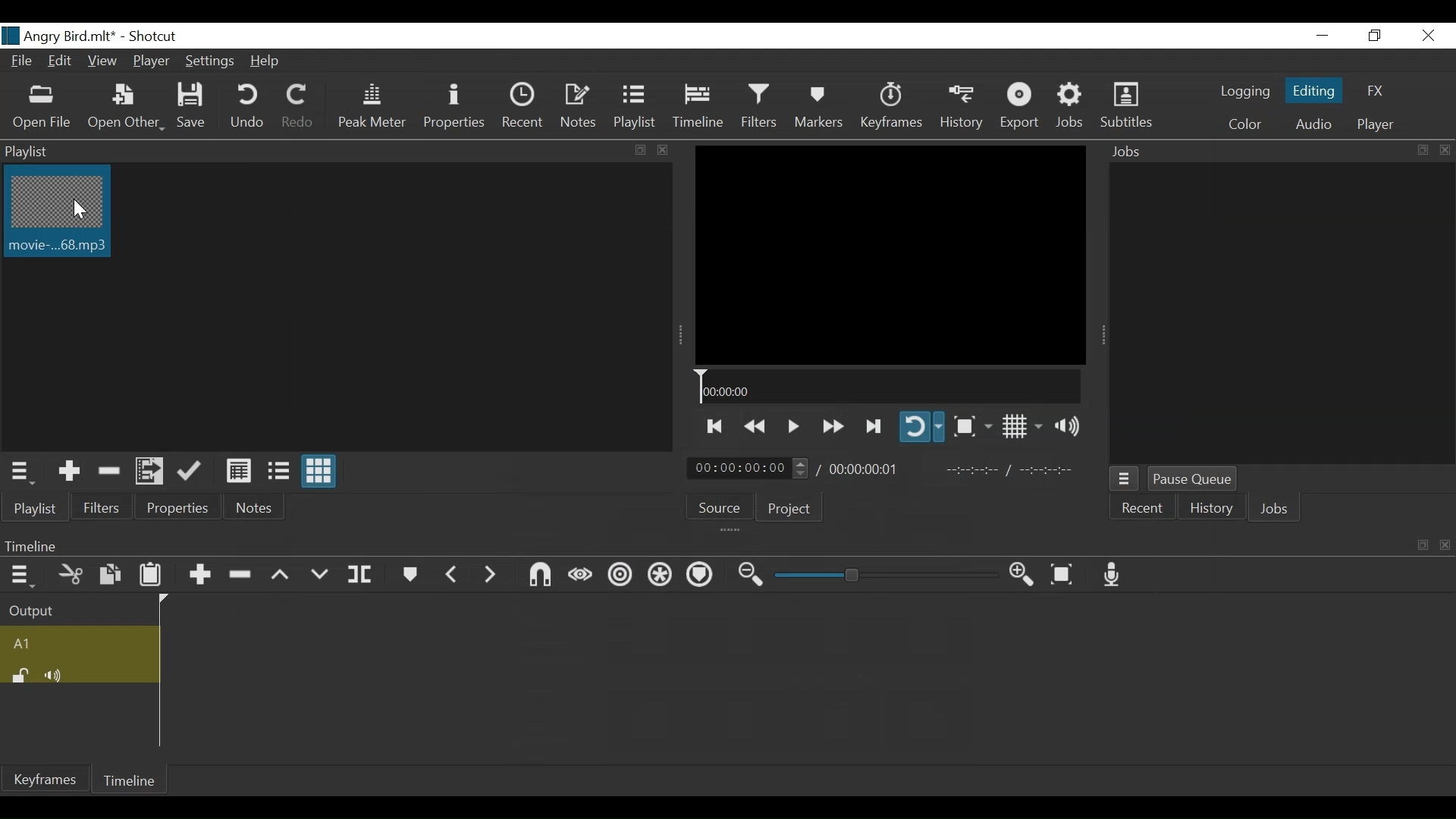  I want to click on File, so click(24, 63).